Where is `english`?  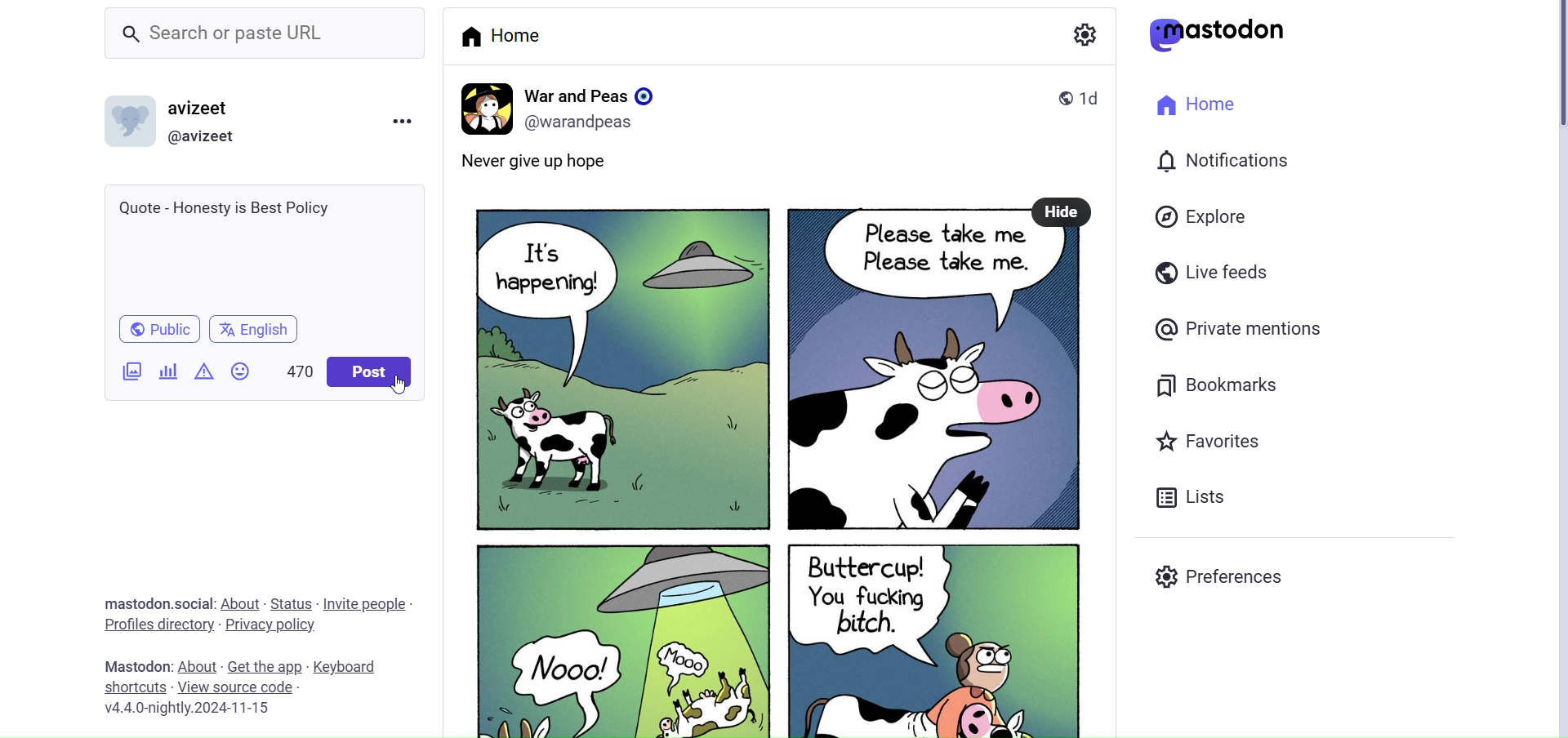
english is located at coordinates (255, 331).